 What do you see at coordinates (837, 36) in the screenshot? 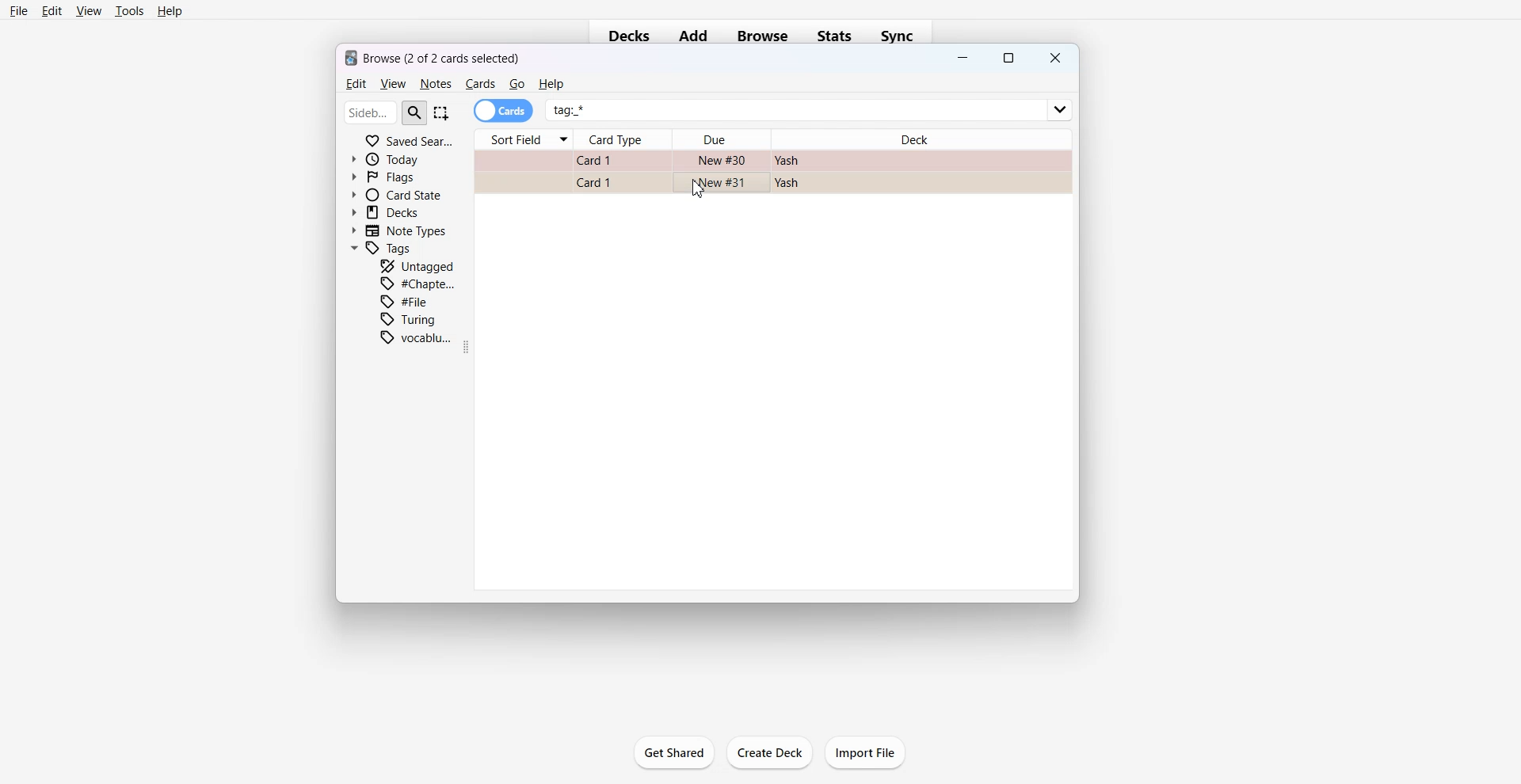
I see `Stats` at bounding box center [837, 36].